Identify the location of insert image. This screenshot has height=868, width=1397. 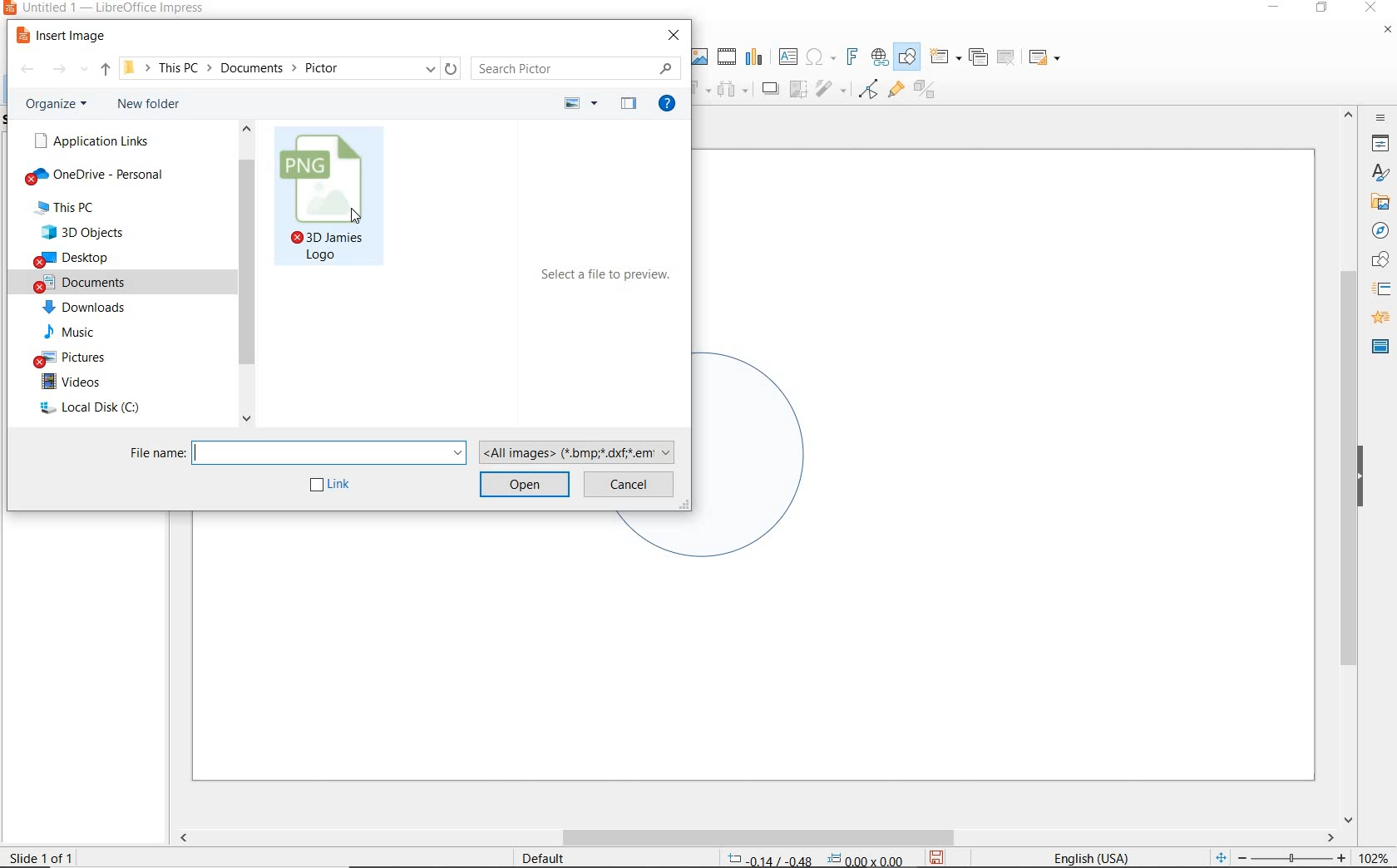
(65, 36).